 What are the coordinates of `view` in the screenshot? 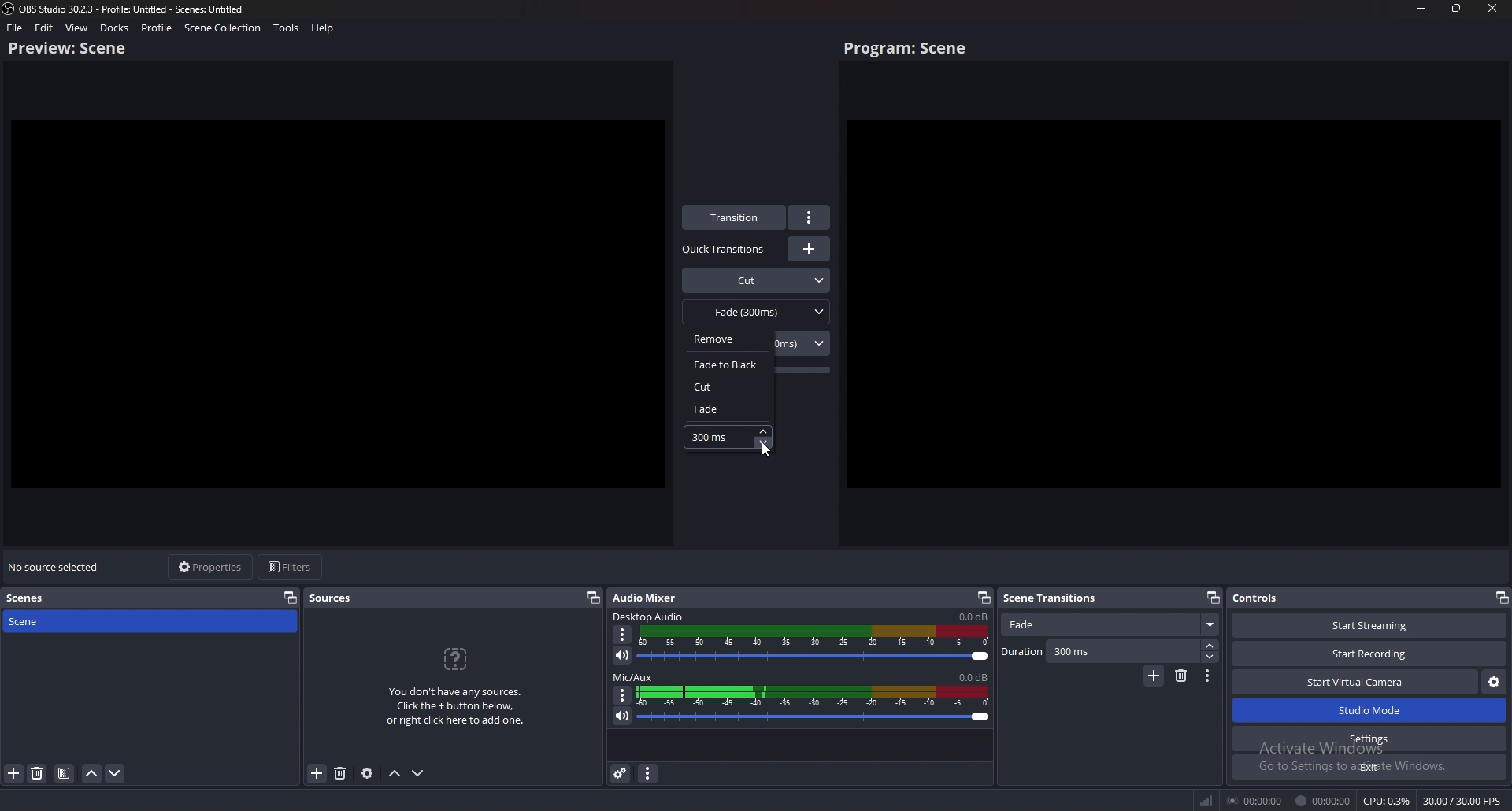 It's located at (77, 28).